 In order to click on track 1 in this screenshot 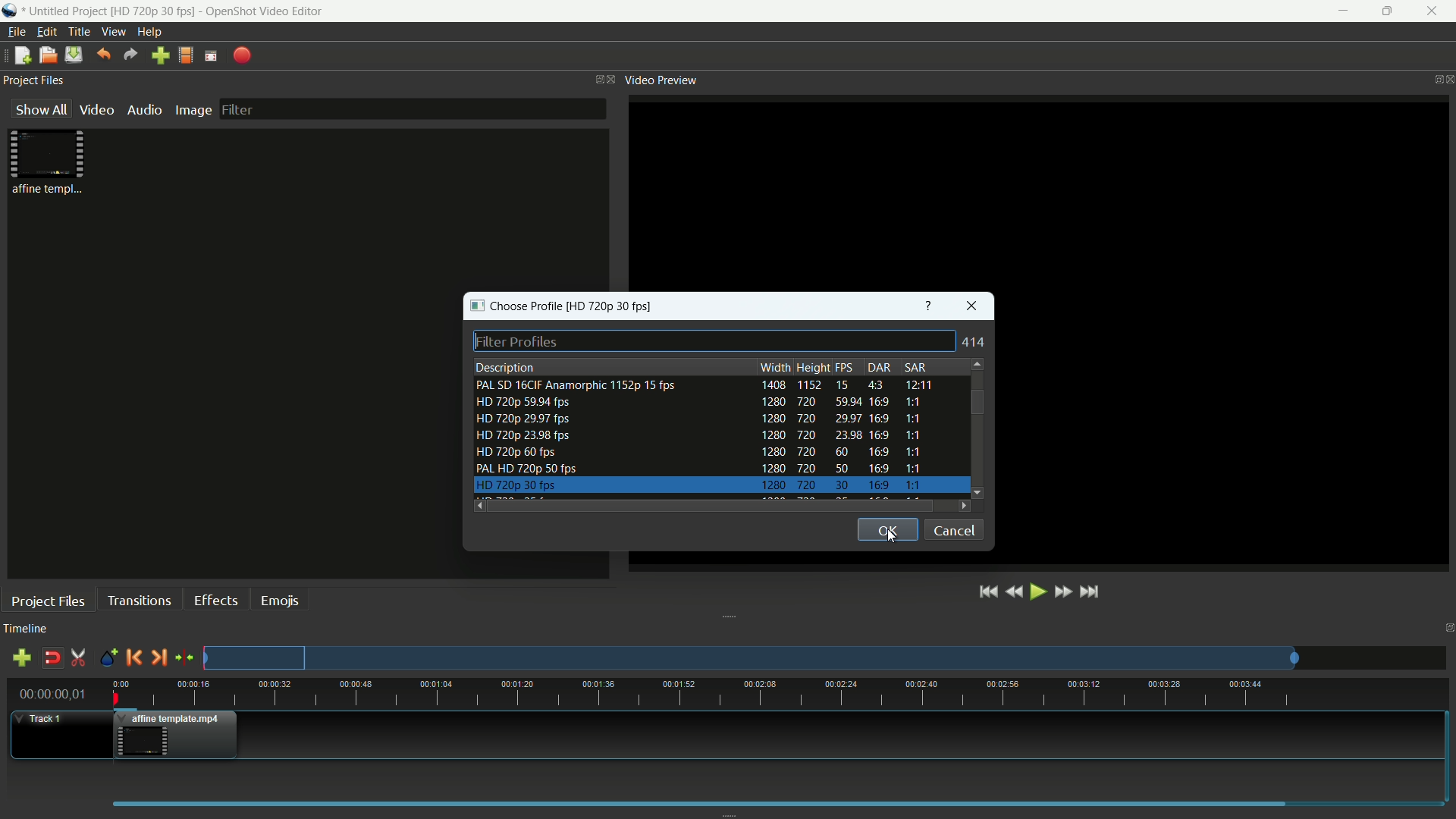, I will do `click(42, 720)`.